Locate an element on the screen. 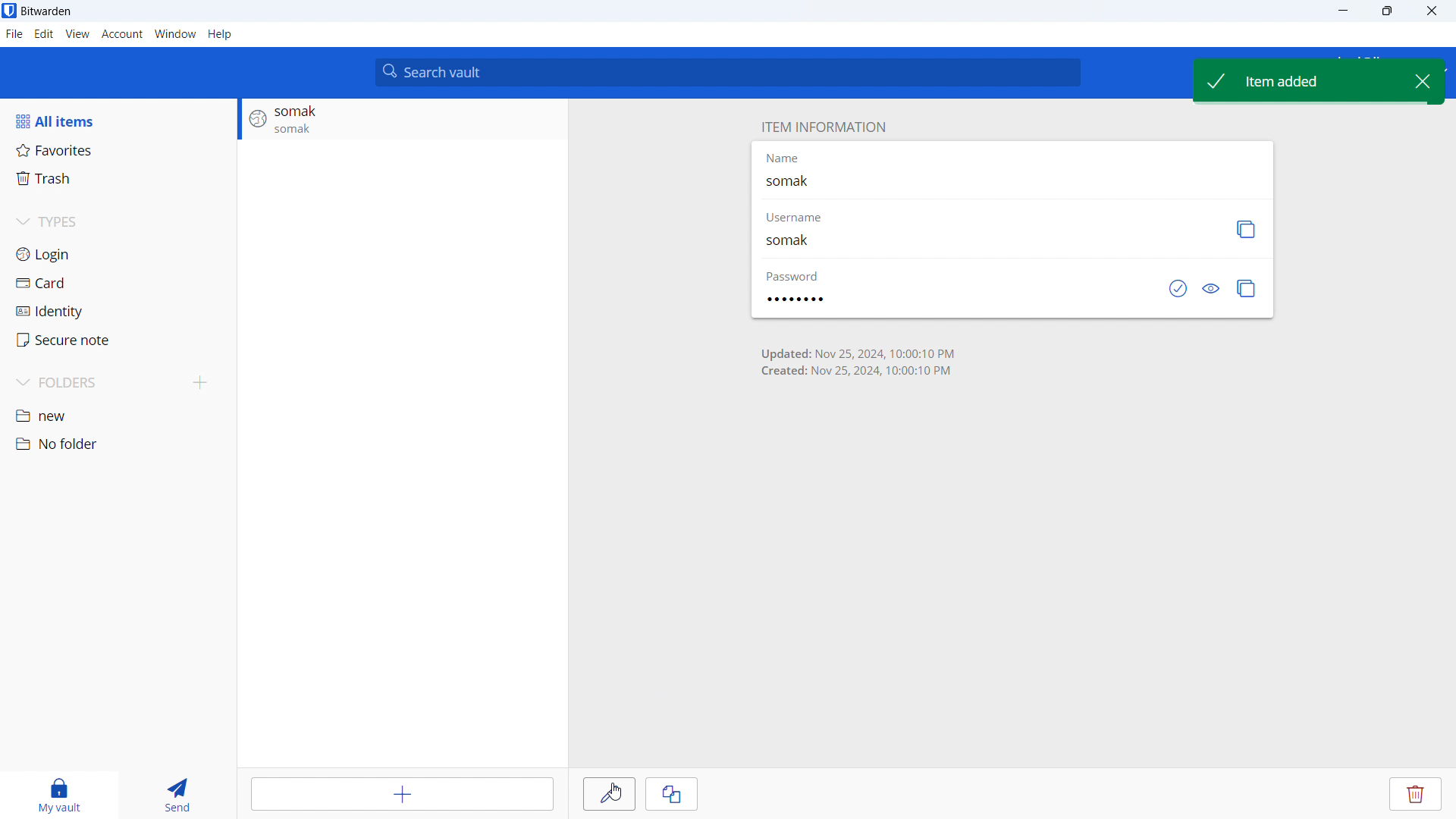 The height and width of the screenshot is (819, 1456). maximize is located at coordinates (1386, 11).